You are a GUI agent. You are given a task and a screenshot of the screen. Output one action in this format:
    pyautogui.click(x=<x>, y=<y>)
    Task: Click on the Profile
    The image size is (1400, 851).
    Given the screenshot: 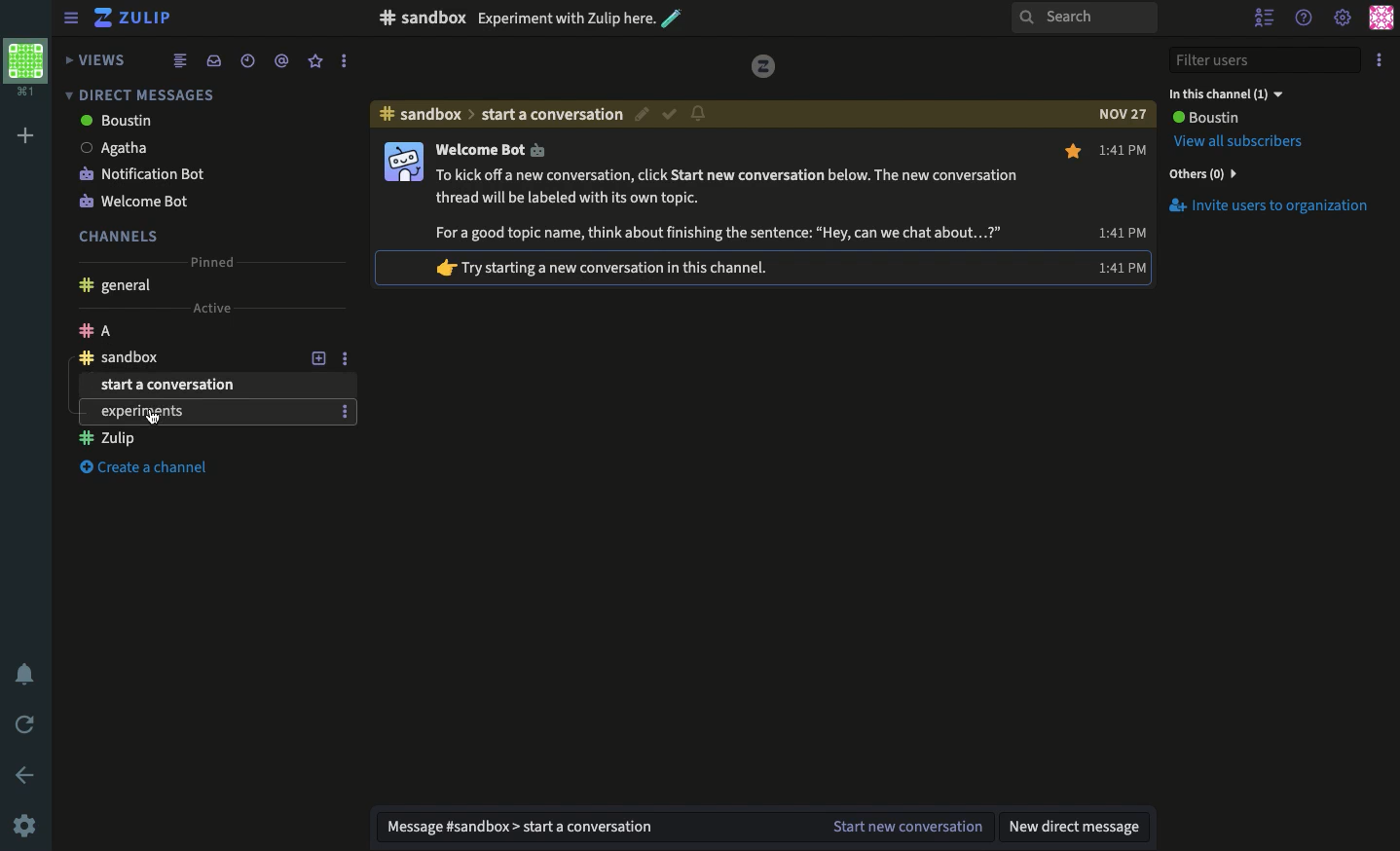 What is the action you would take?
    pyautogui.click(x=1381, y=18)
    